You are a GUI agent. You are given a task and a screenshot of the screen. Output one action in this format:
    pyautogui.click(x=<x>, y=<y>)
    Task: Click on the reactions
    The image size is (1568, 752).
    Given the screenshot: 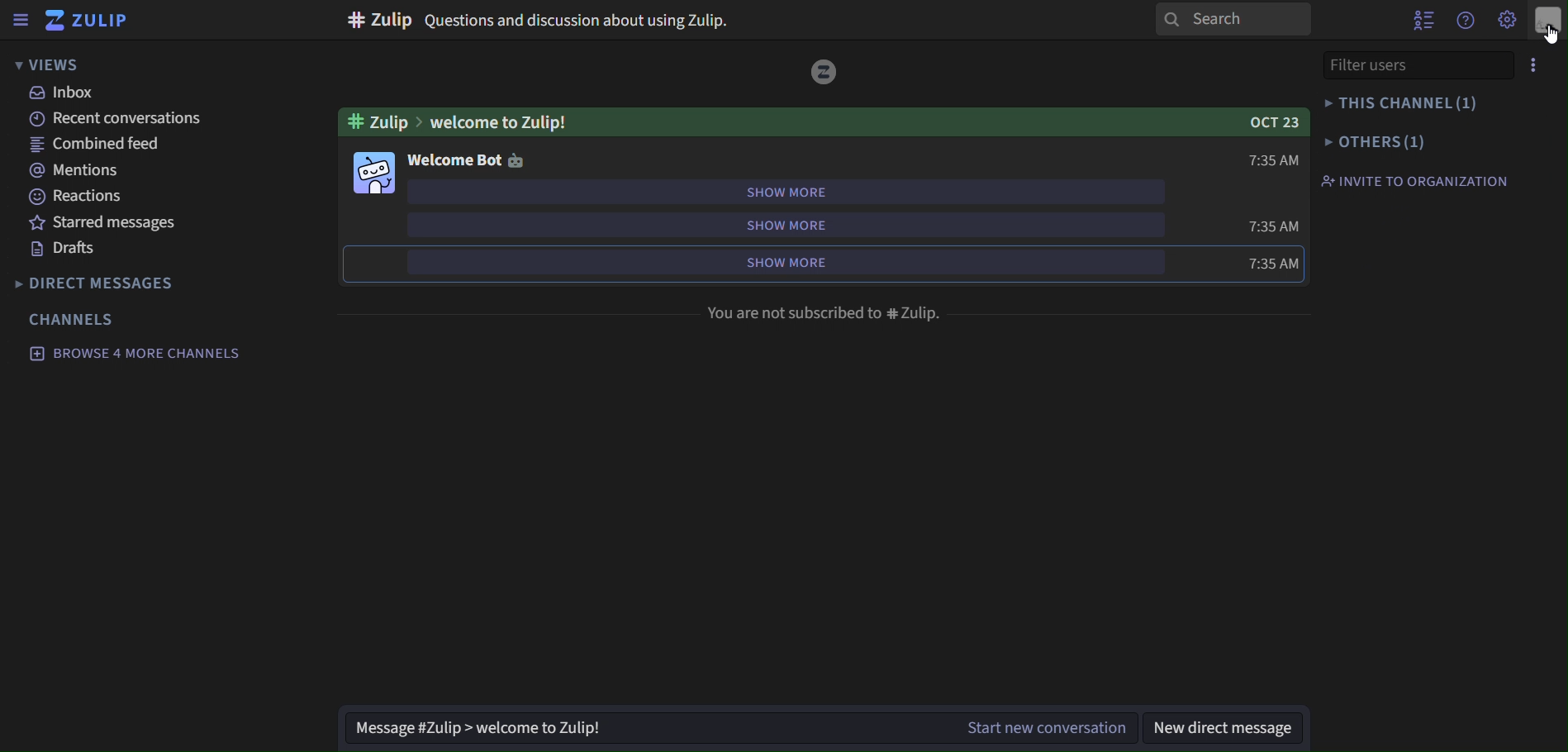 What is the action you would take?
    pyautogui.click(x=74, y=196)
    